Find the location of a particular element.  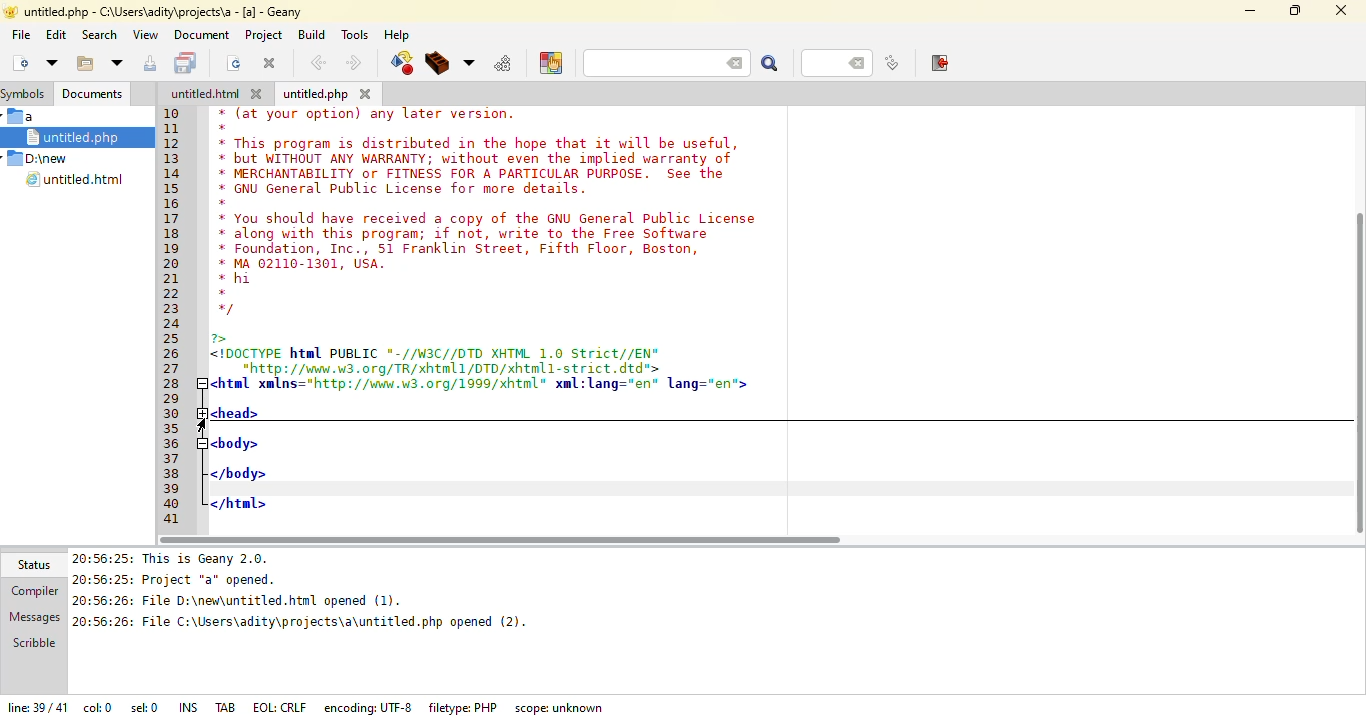

line: 39/41 is located at coordinates (37, 706).